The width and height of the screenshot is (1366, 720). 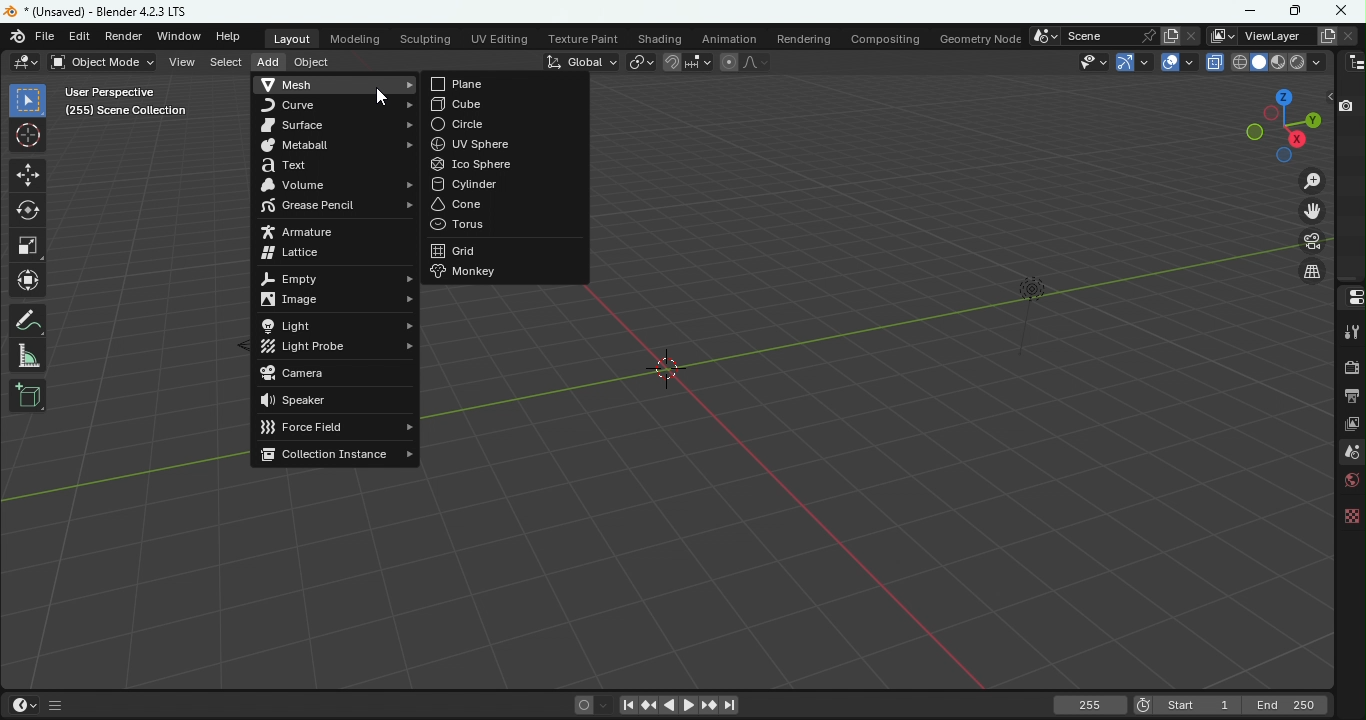 What do you see at coordinates (728, 62) in the screenshot?
I see `Proportional editing objects` at bounding box center [728, 62].